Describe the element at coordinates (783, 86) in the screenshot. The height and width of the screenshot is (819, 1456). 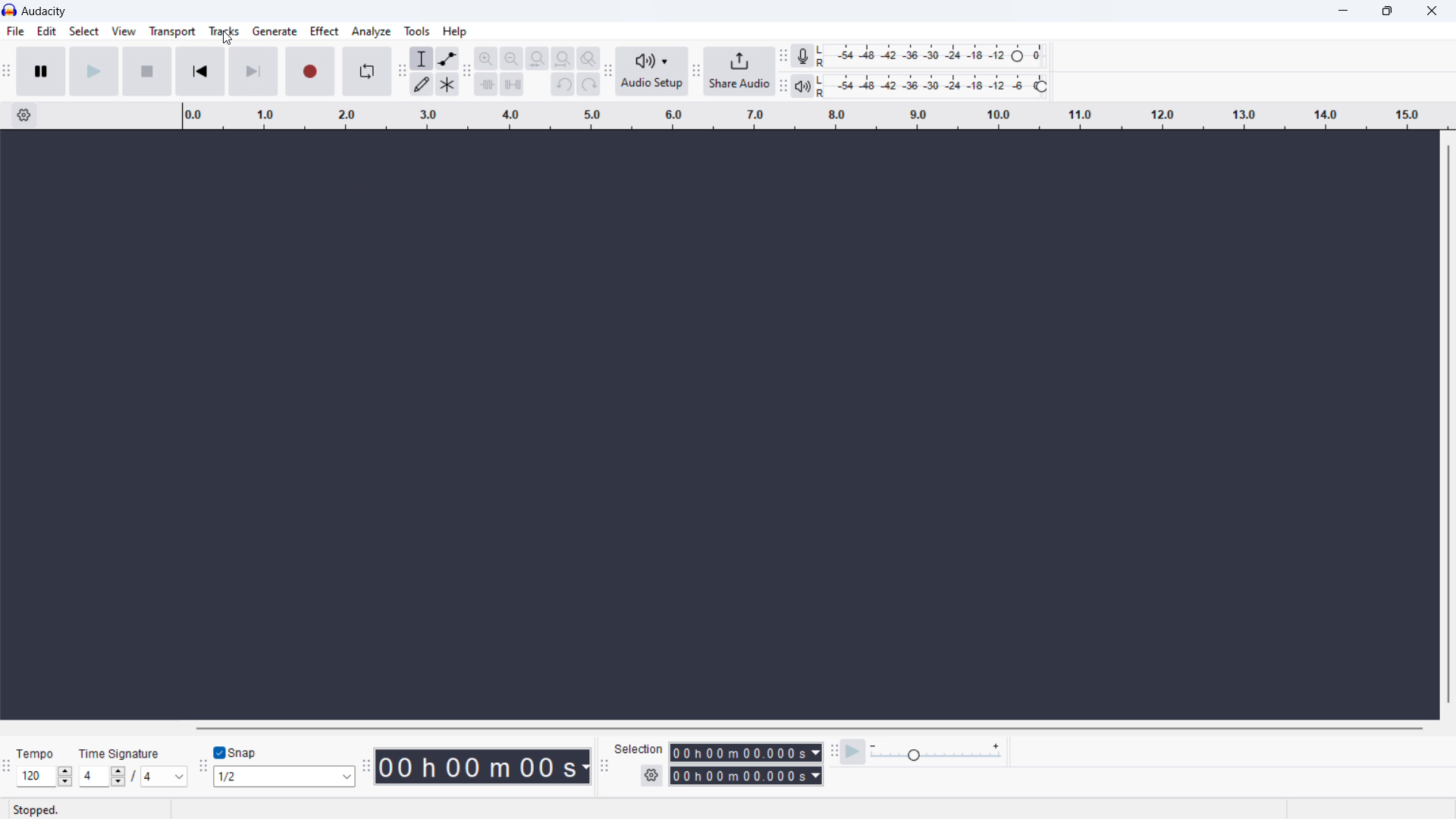
I see `playback meter toolbar` at that location.